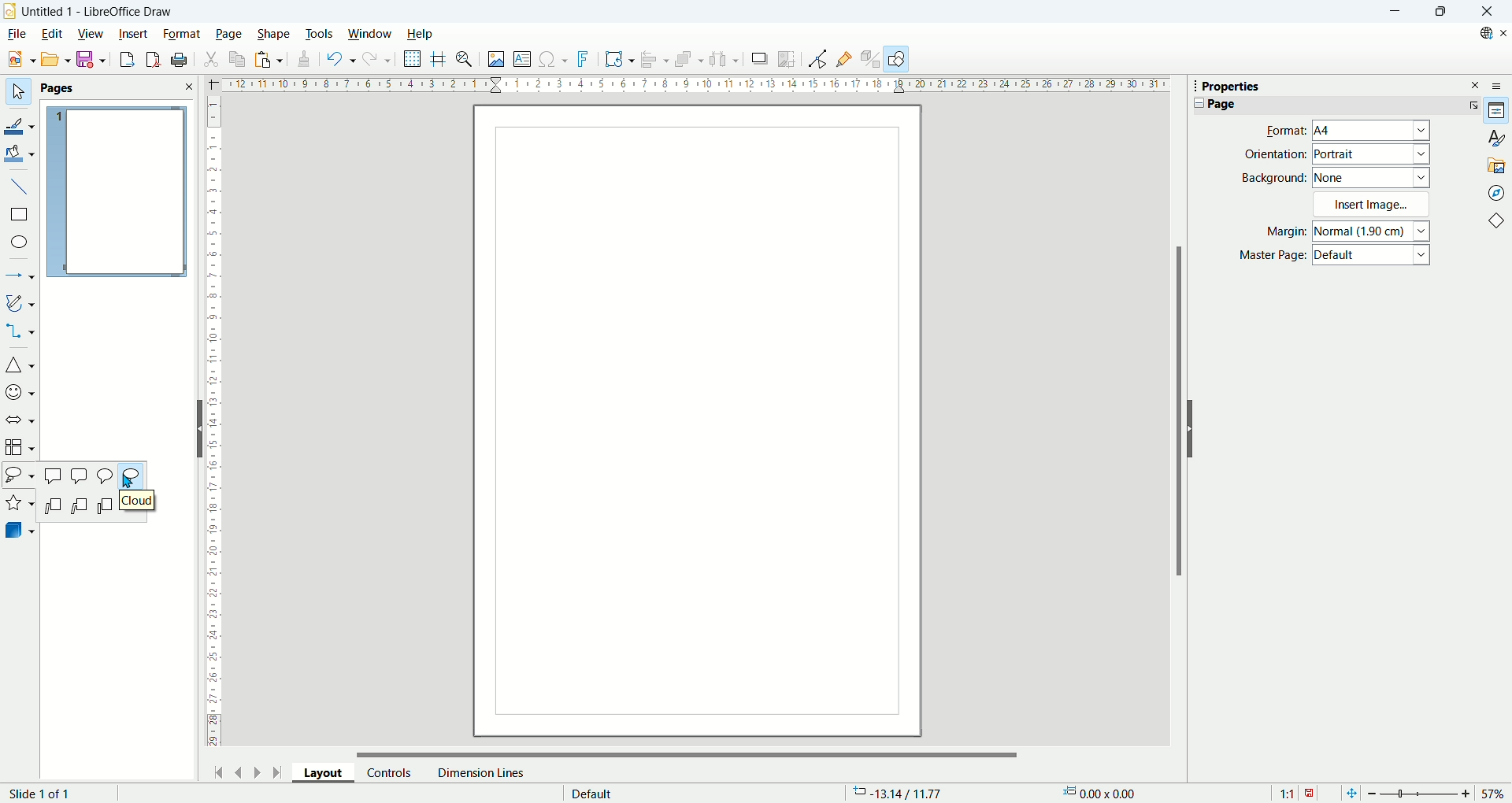 This screenshot has width=1512, height=803. What do you see at coordinates (697, 420) in the screenshot?
I see `Main Page` at bounding box center [697, 420].